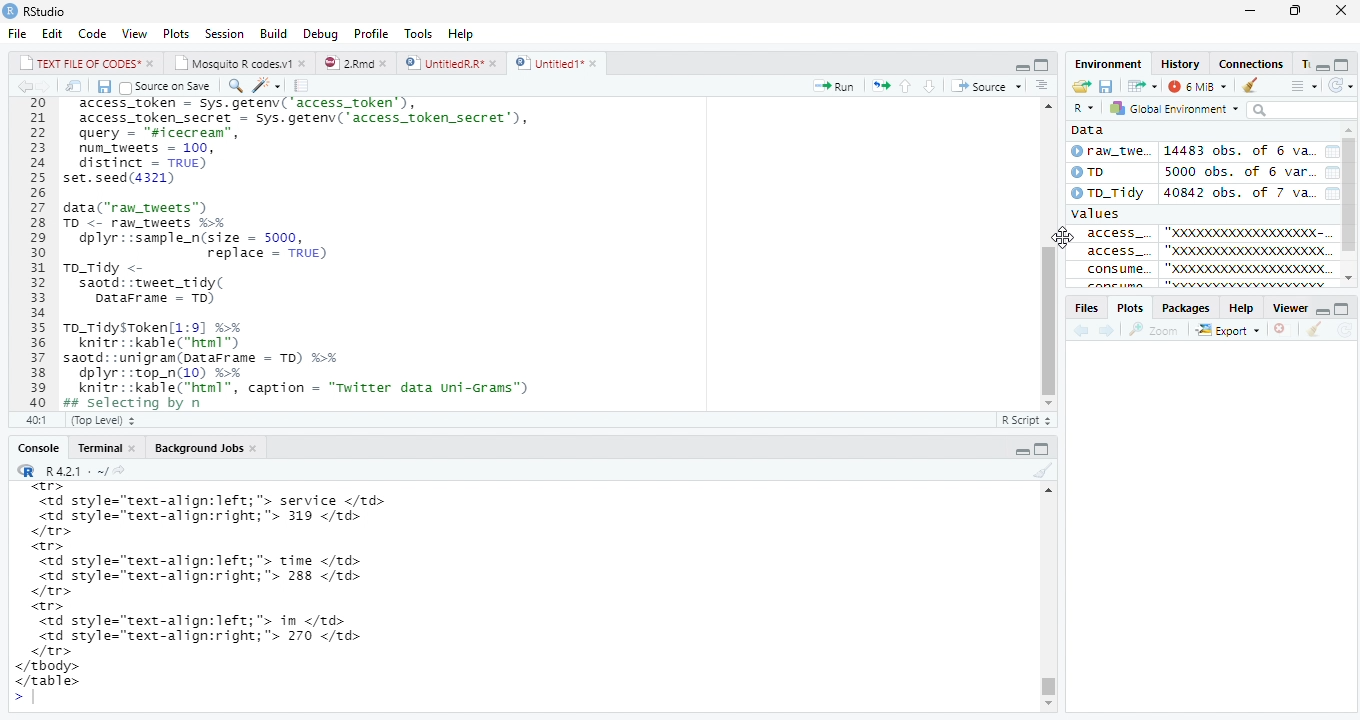 Image resolution: width=1360 pixels, height=720 pixels. What do you see at coordinates (51, 31) in the screenshot?
I see `Edit` at bounding box center [51, 31].